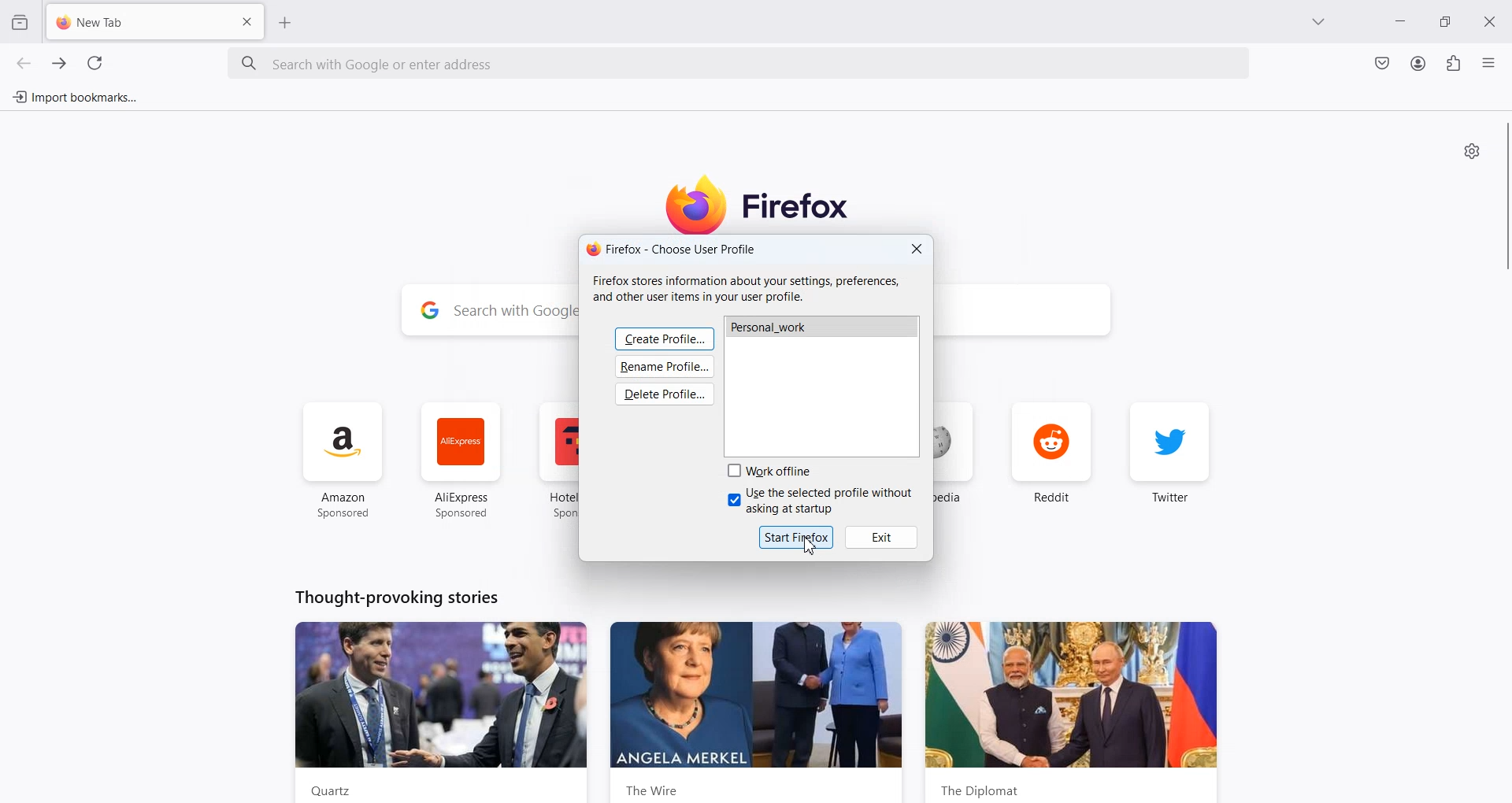 The width and height of the screenshot is (1512, 803). What do you see at coordinates (1071, 712) in the screenshot?
I see `the diplomat` at bounding box center [1071, 712].